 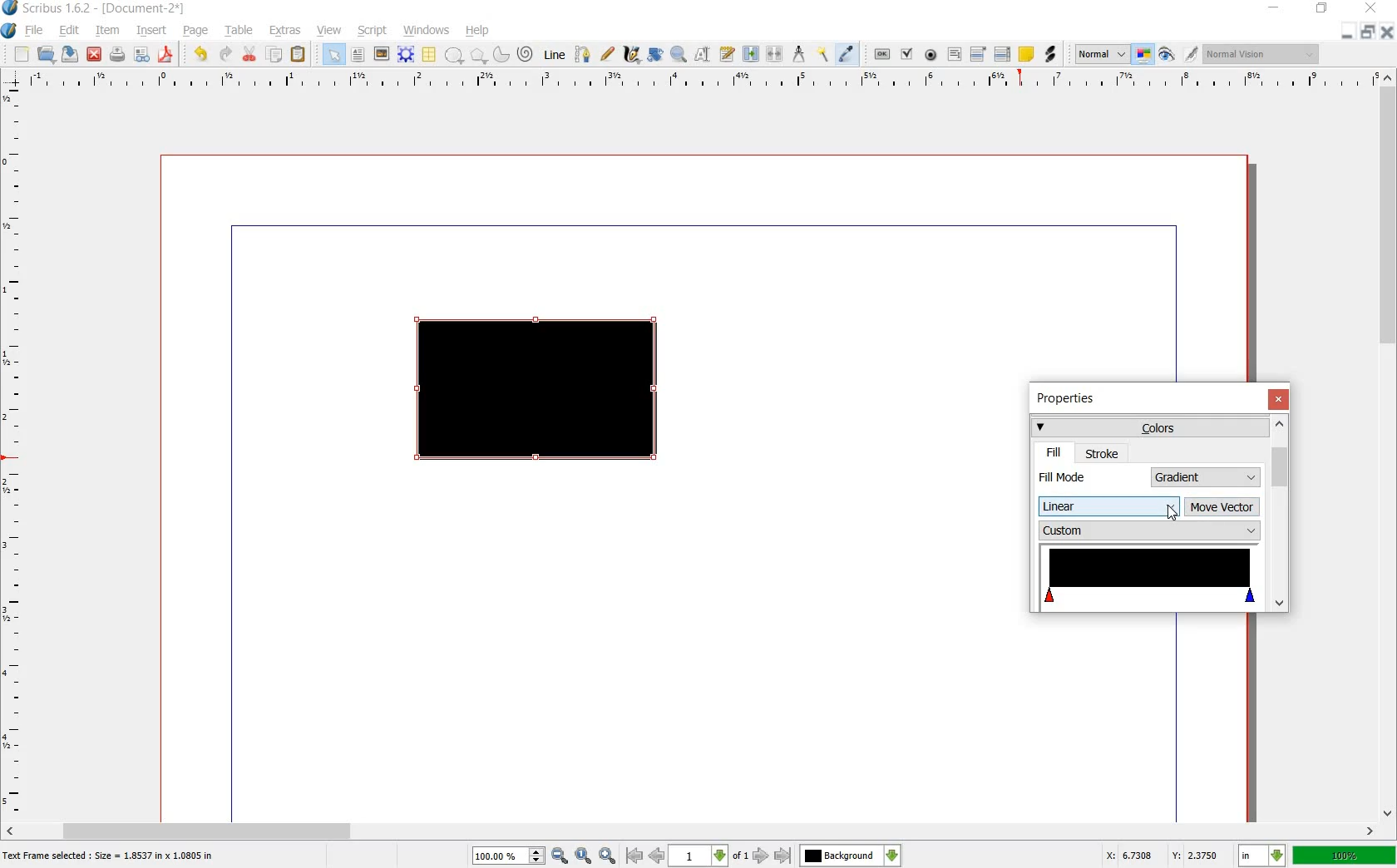 What do you see at coordinates (1102, 55) in the screenshot?
I see `normal` at bounding box center [1102, 55].